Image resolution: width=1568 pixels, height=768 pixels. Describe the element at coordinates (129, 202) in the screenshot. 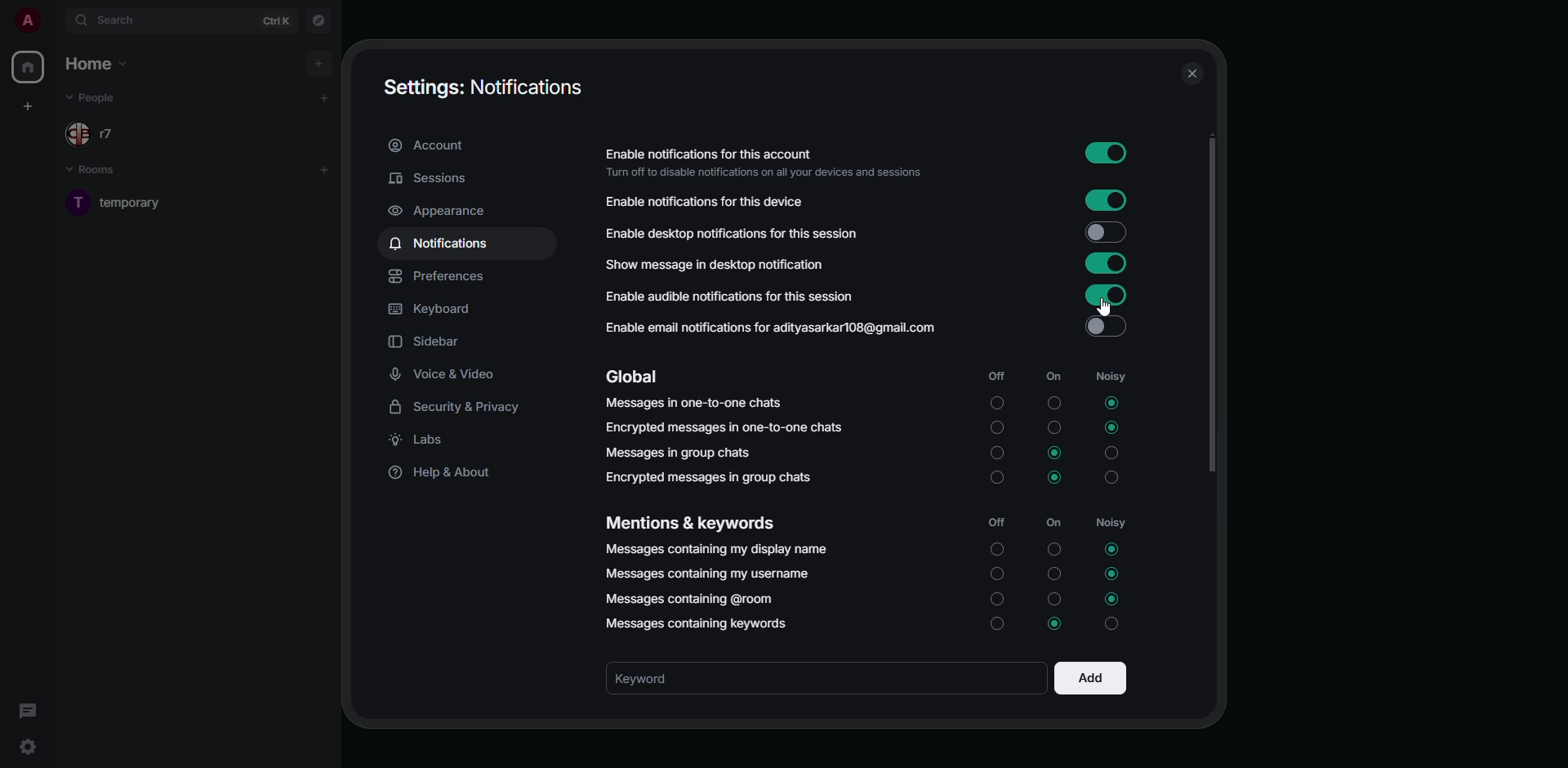

I see `room` at that location.